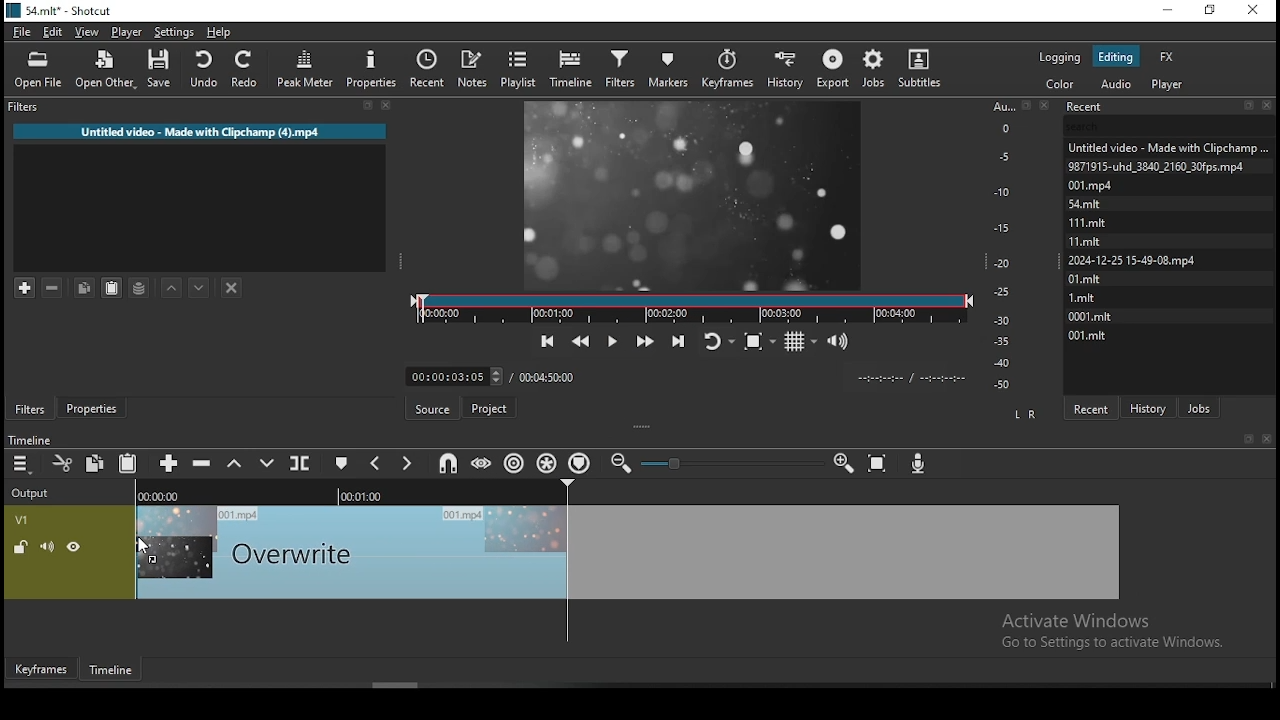 This screenshot has width=1280, height=720. Describe the element at coordinates (1005, 247) in the screenshot. I see `scale` at that location.